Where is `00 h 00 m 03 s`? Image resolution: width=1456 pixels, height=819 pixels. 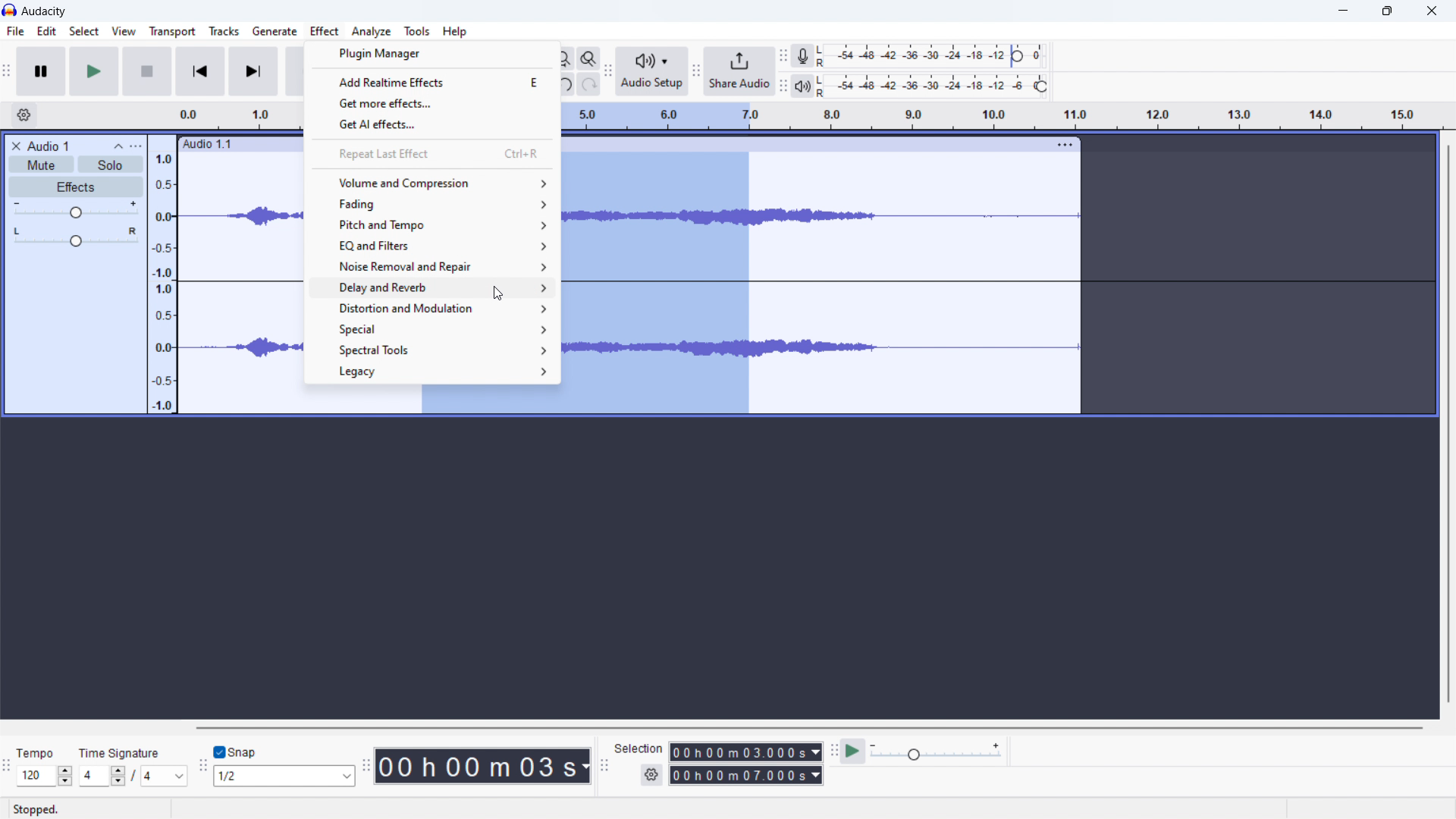
00 h 00 m 03 s is located at coordinates (483, 765).